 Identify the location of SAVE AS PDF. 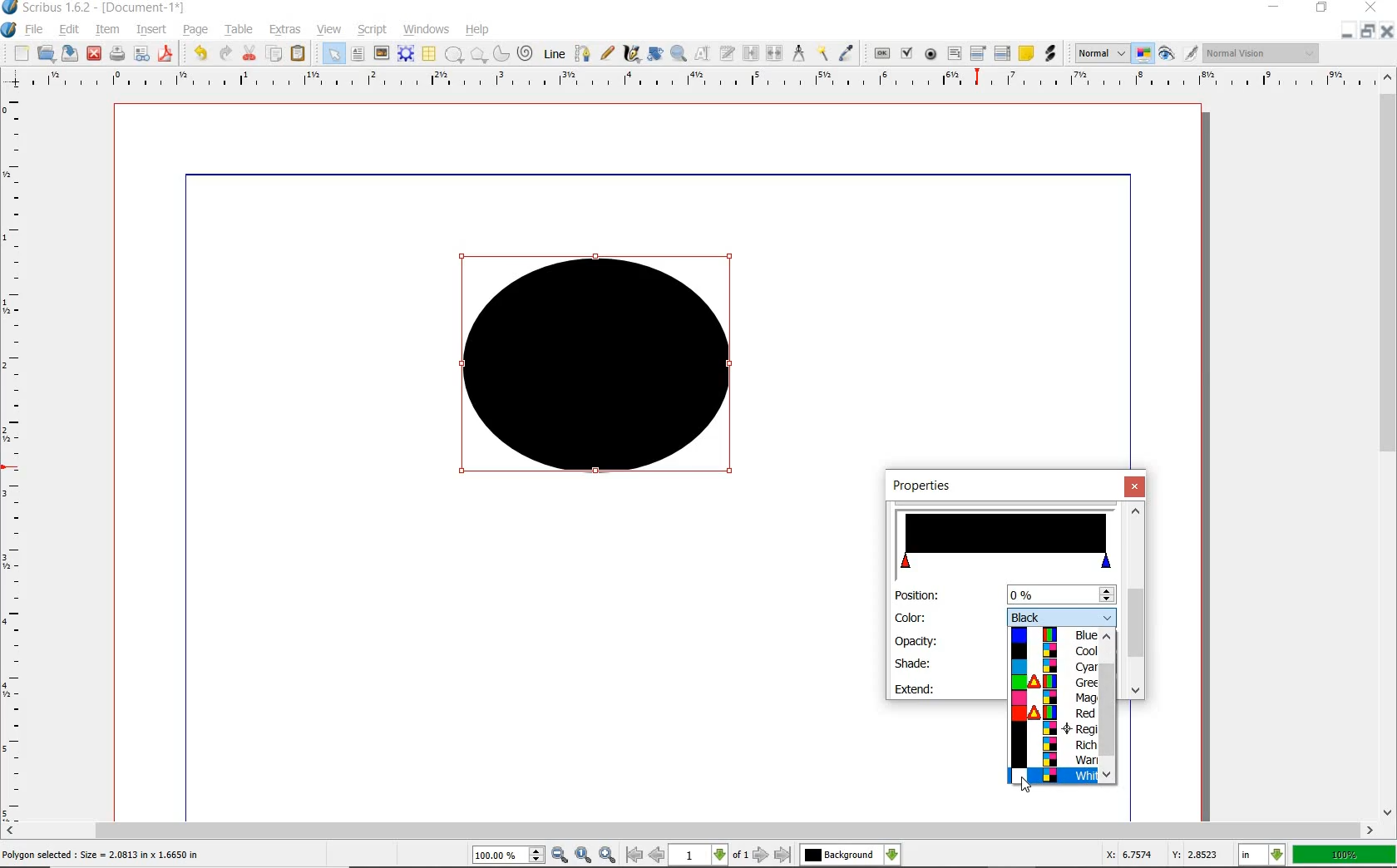
(167, 55).